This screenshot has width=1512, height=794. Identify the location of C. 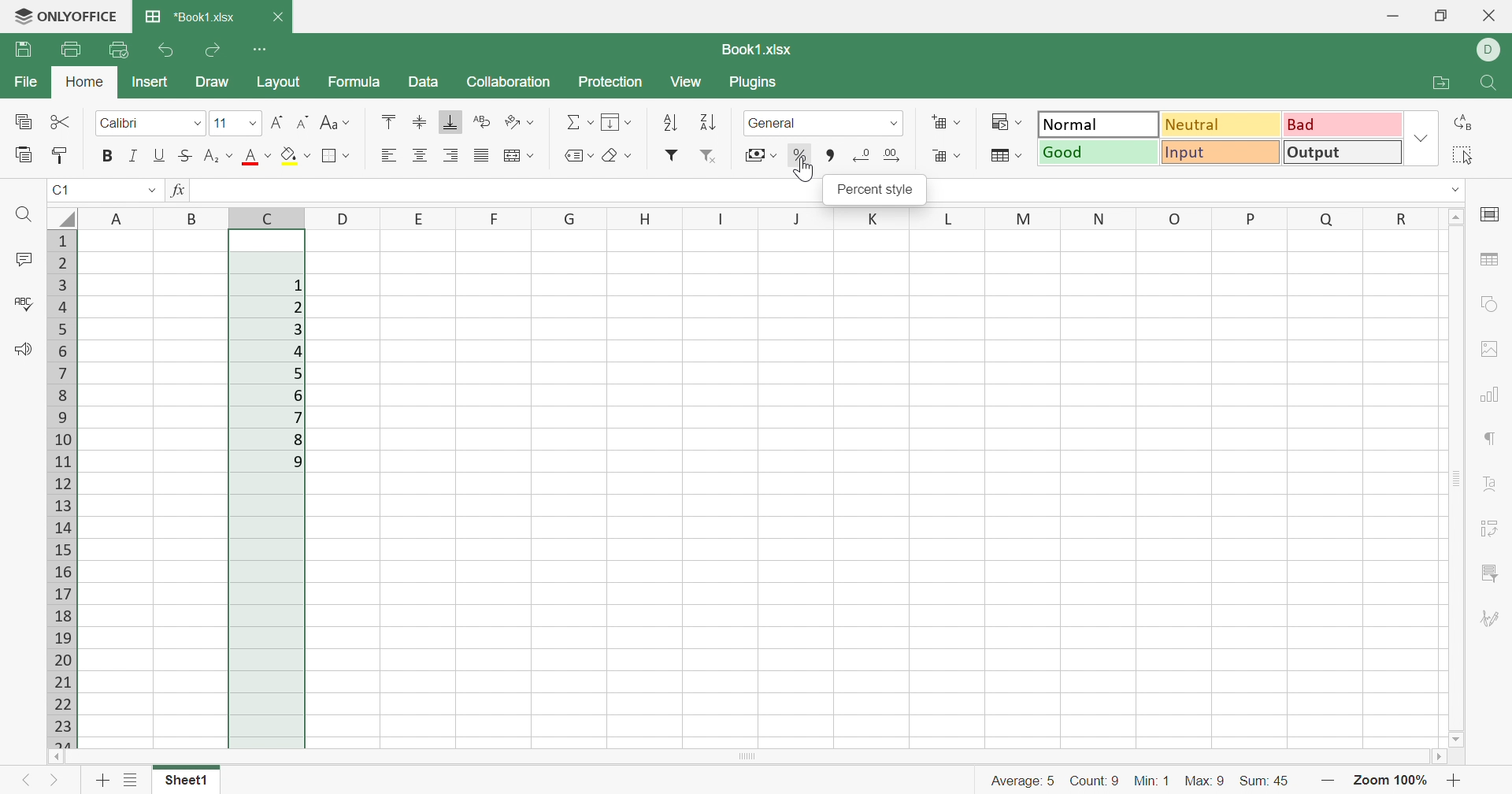
(266, 216).